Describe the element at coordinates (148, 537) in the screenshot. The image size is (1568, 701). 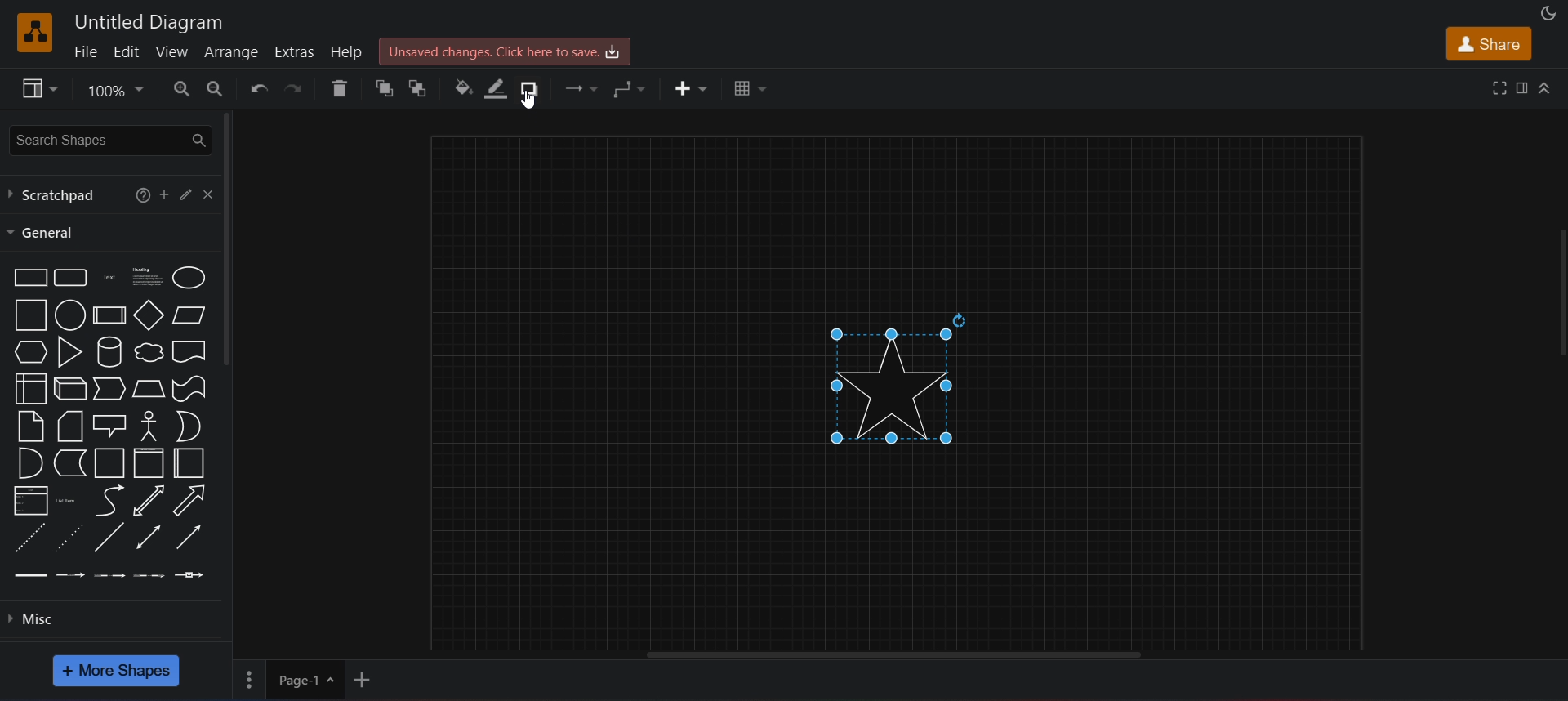
I see `bidirectional connector` at that location.